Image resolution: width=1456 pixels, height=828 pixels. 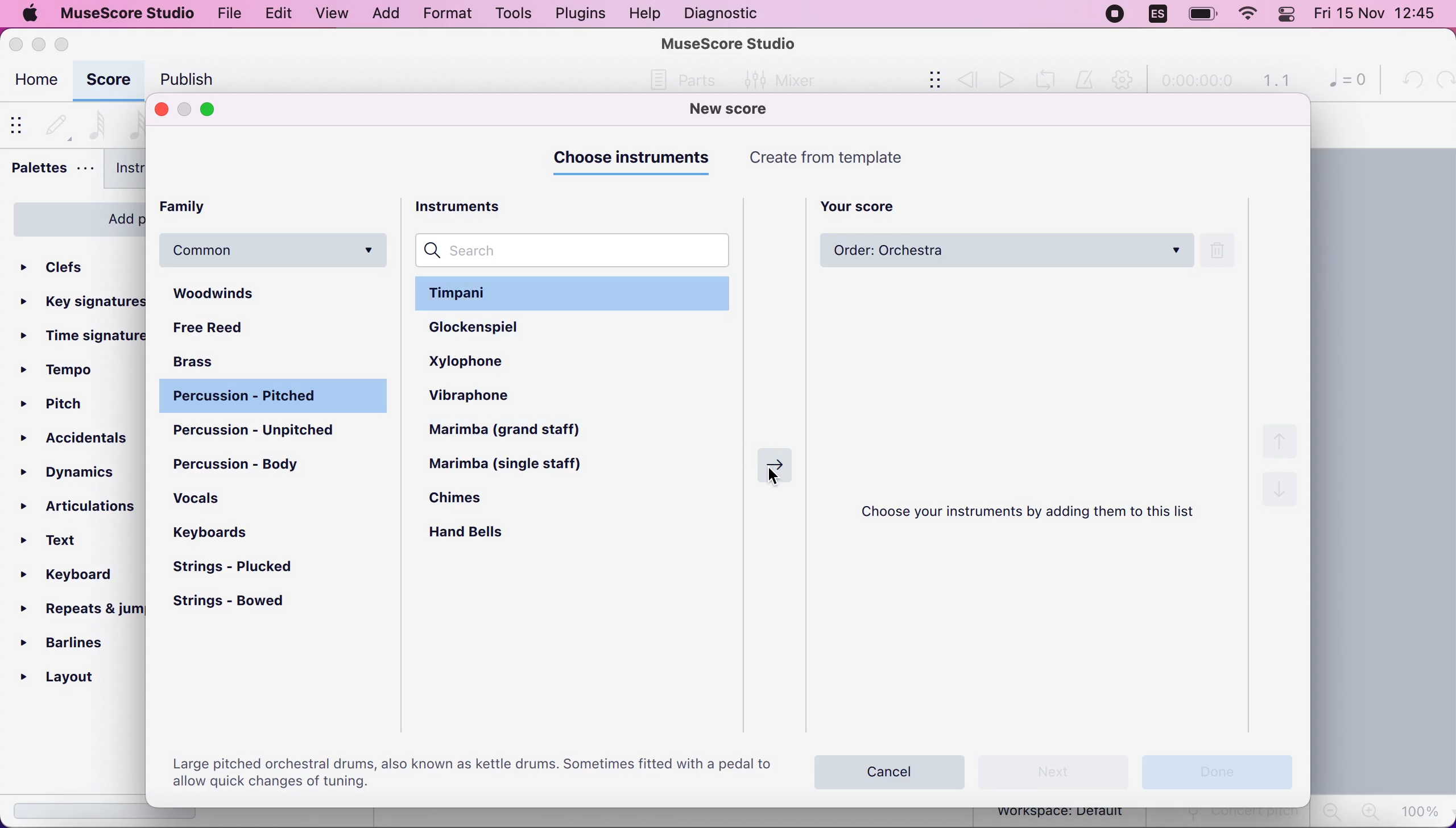 What do you see at coordinates (216, 110) in the screenshot?
I see `maximize` at bounding box center [216, 110].